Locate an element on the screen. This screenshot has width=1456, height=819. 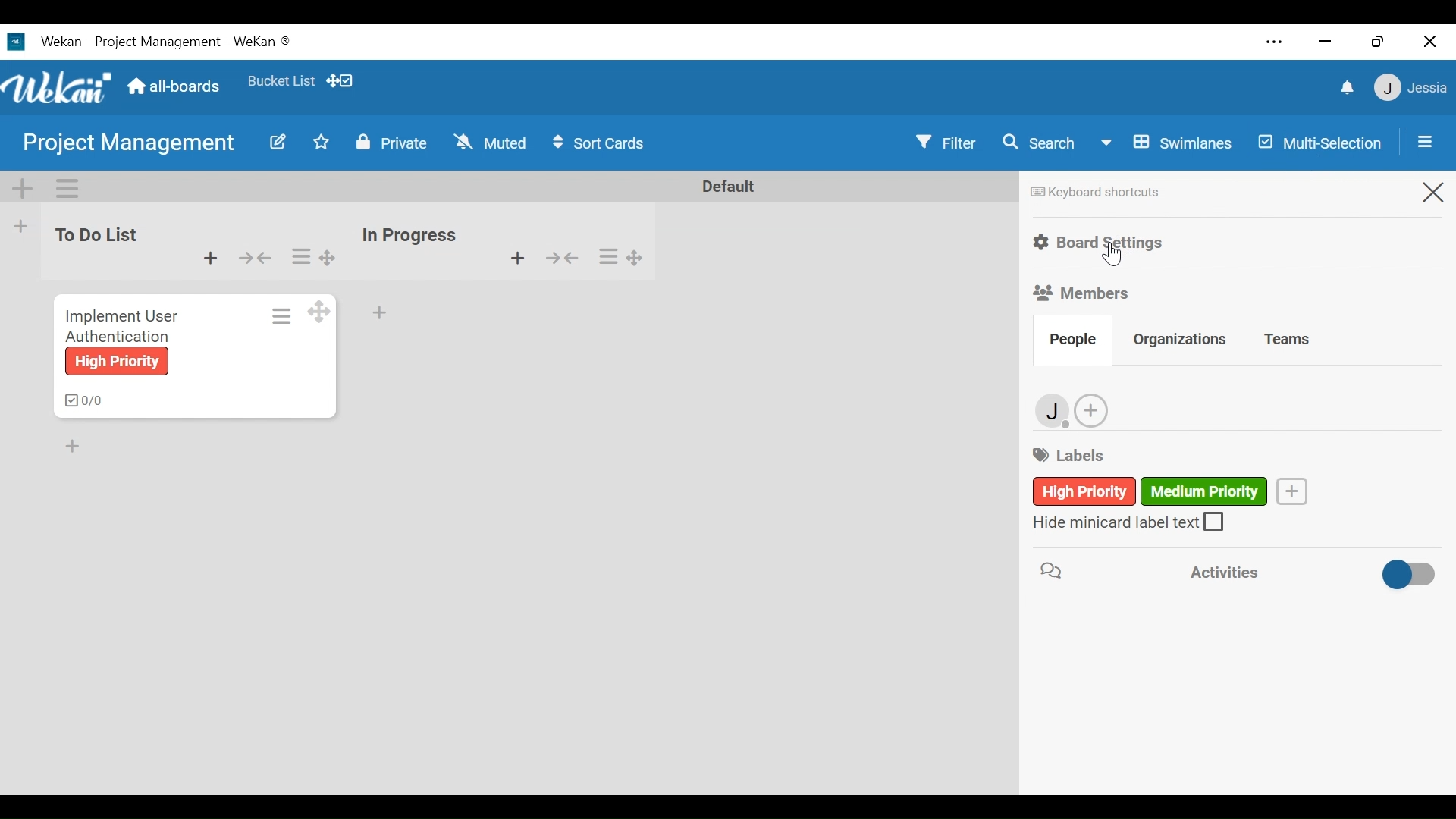
minimize is located at coordinates (1325, 41).